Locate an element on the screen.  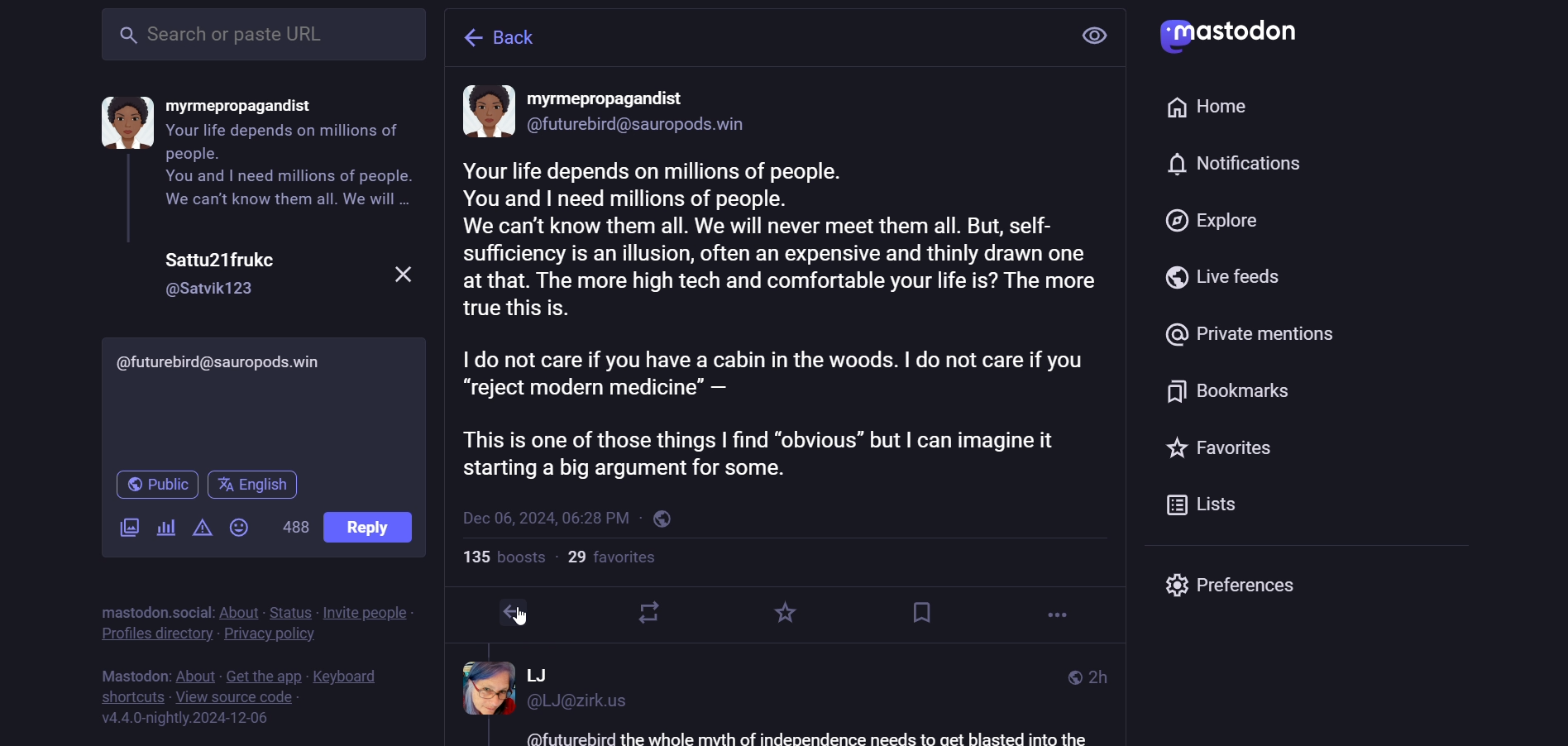
favorite is located at coordinates (789, 613).